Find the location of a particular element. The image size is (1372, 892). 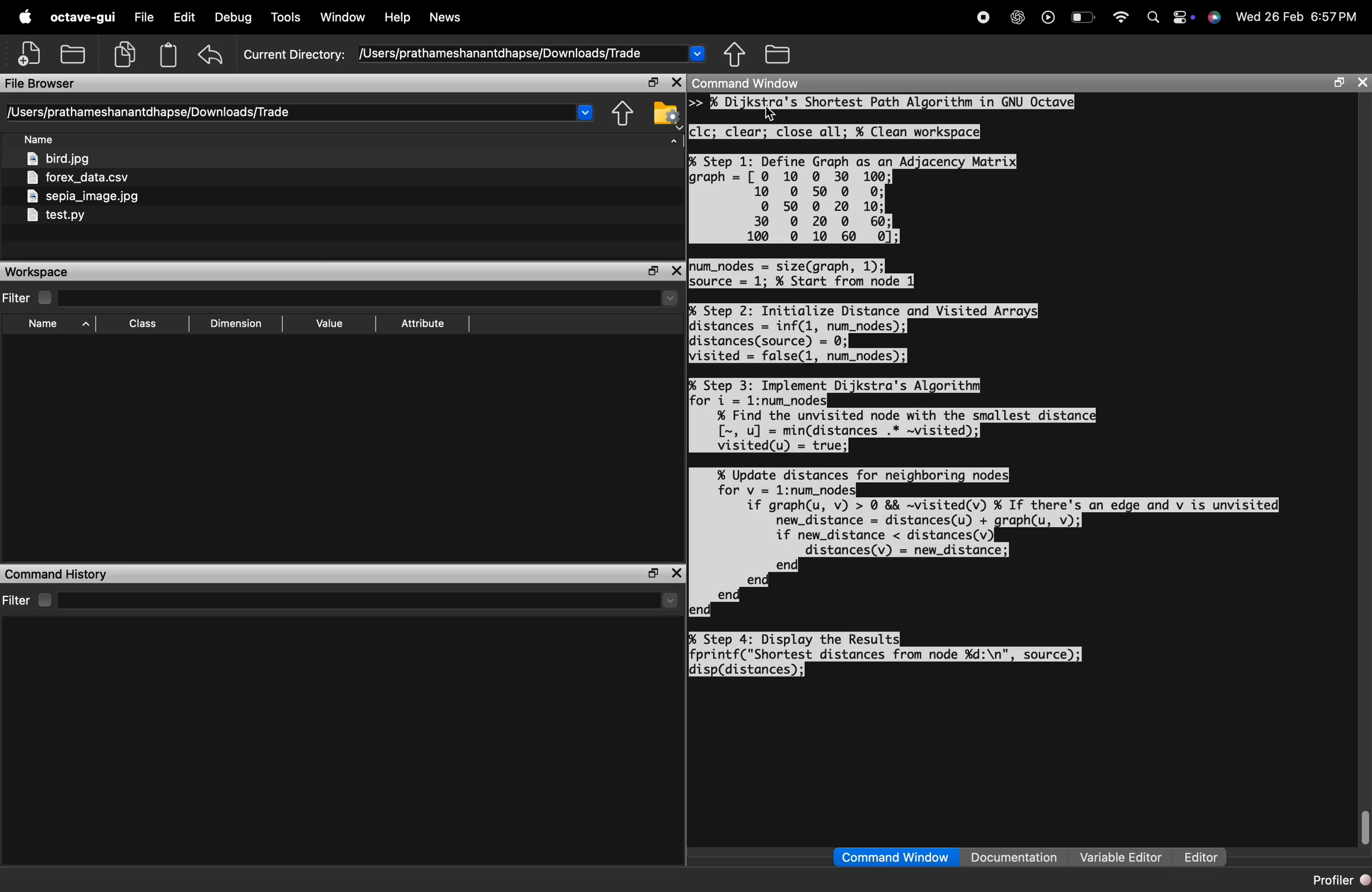

vertical scrollbar is located at coordinates (1363, 821).